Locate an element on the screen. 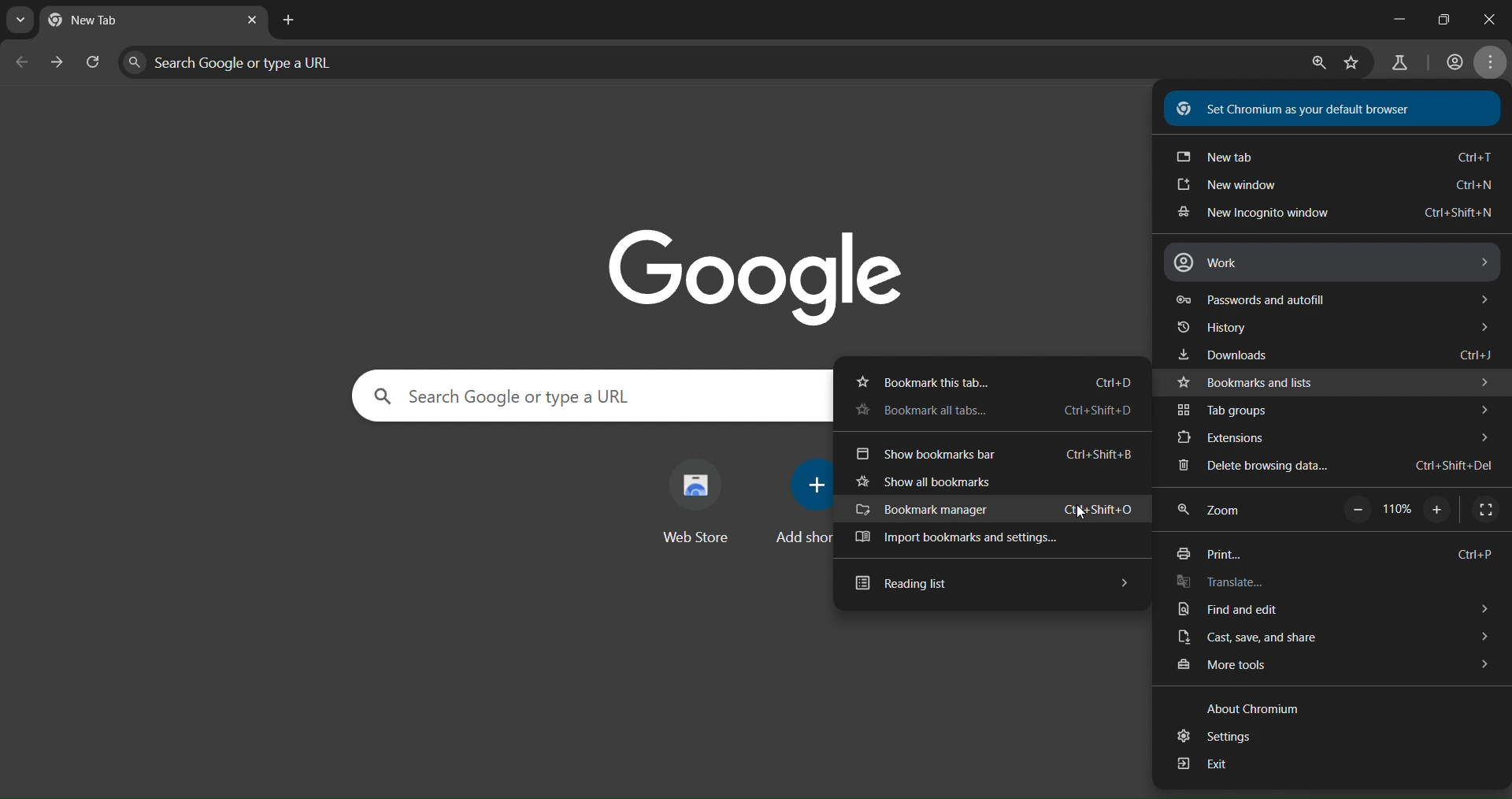 This screenshot has width=1512, height=799. 100% is located at coordinates (1398, 506).